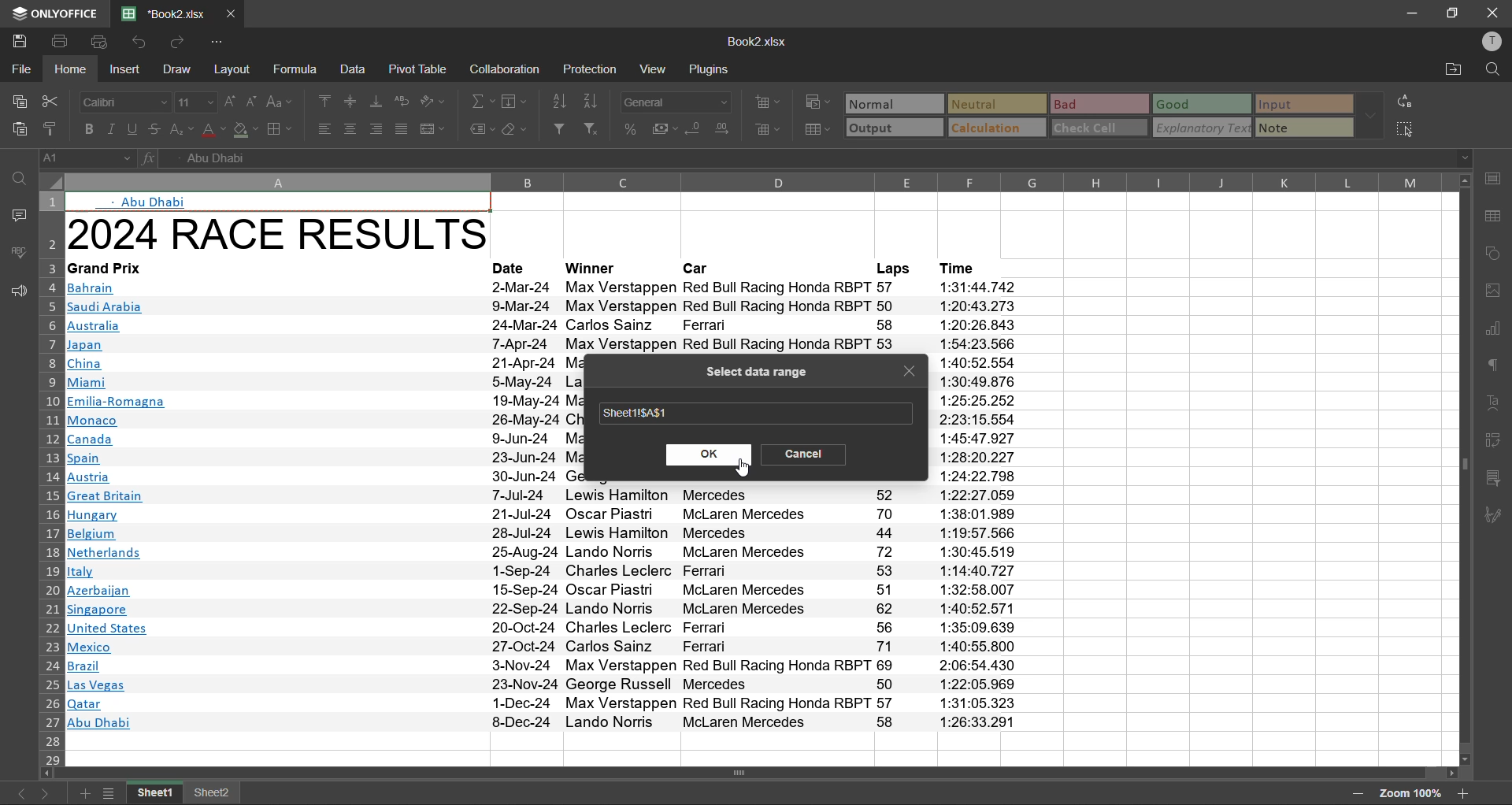  I want to click on file, so click(20, 70).